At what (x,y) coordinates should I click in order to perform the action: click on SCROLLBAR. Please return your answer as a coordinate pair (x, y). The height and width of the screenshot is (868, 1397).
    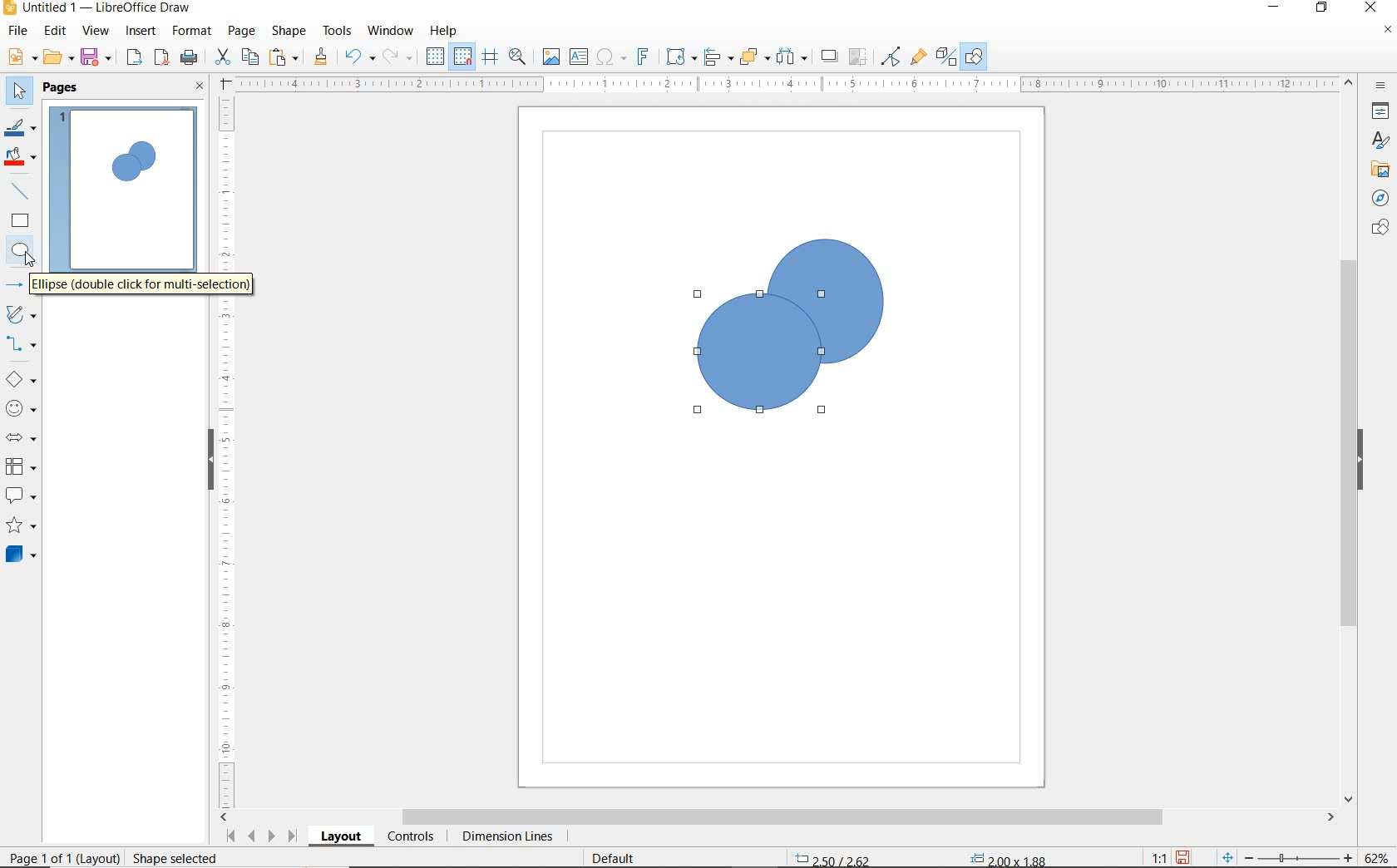
    Looking at the image, I should click on (778, 818).